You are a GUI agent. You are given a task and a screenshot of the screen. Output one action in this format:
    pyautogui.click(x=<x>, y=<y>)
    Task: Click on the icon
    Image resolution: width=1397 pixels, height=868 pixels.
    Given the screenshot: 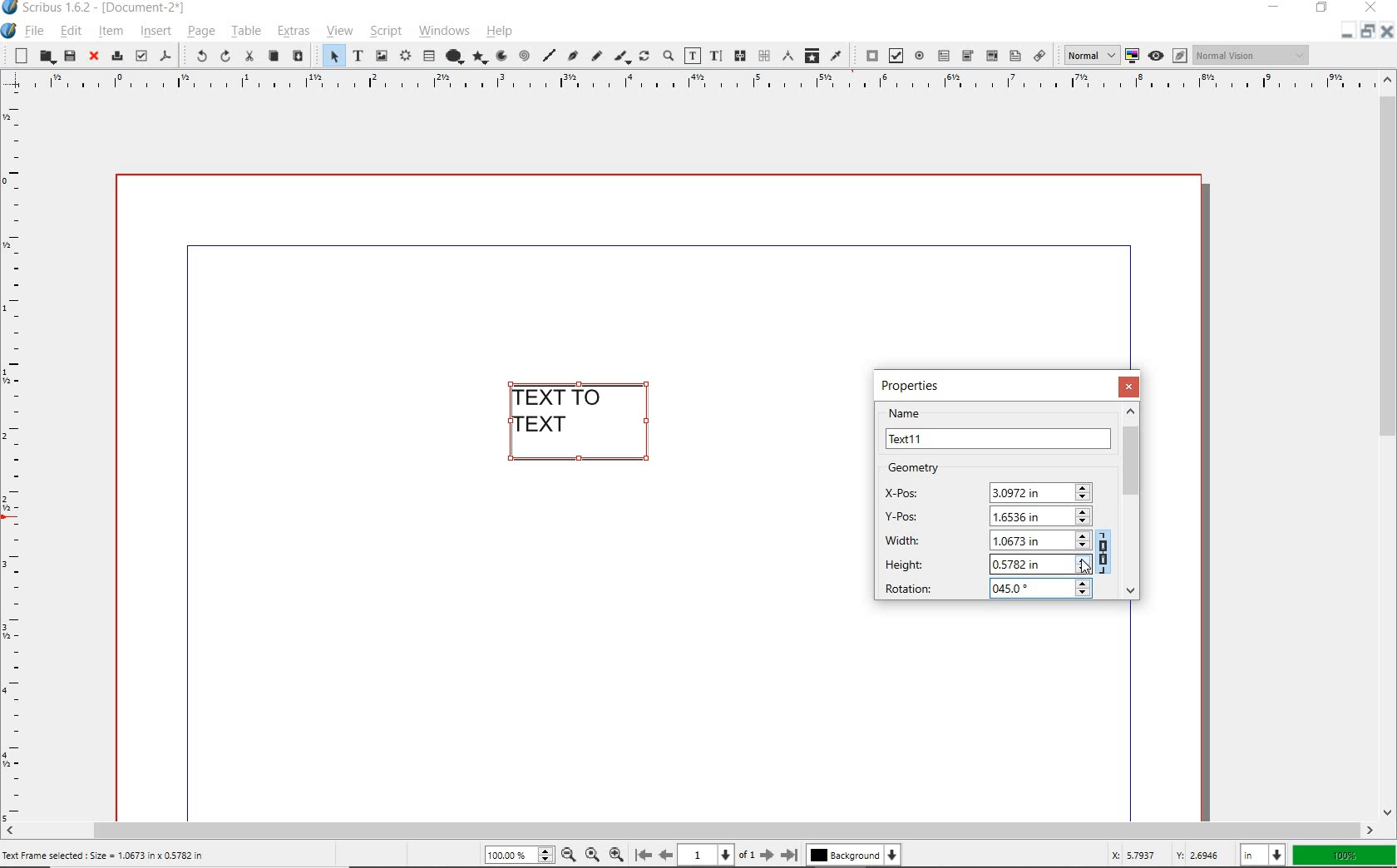 What is the action you would take?
    pyautogui.click(x=11, y=8)
    